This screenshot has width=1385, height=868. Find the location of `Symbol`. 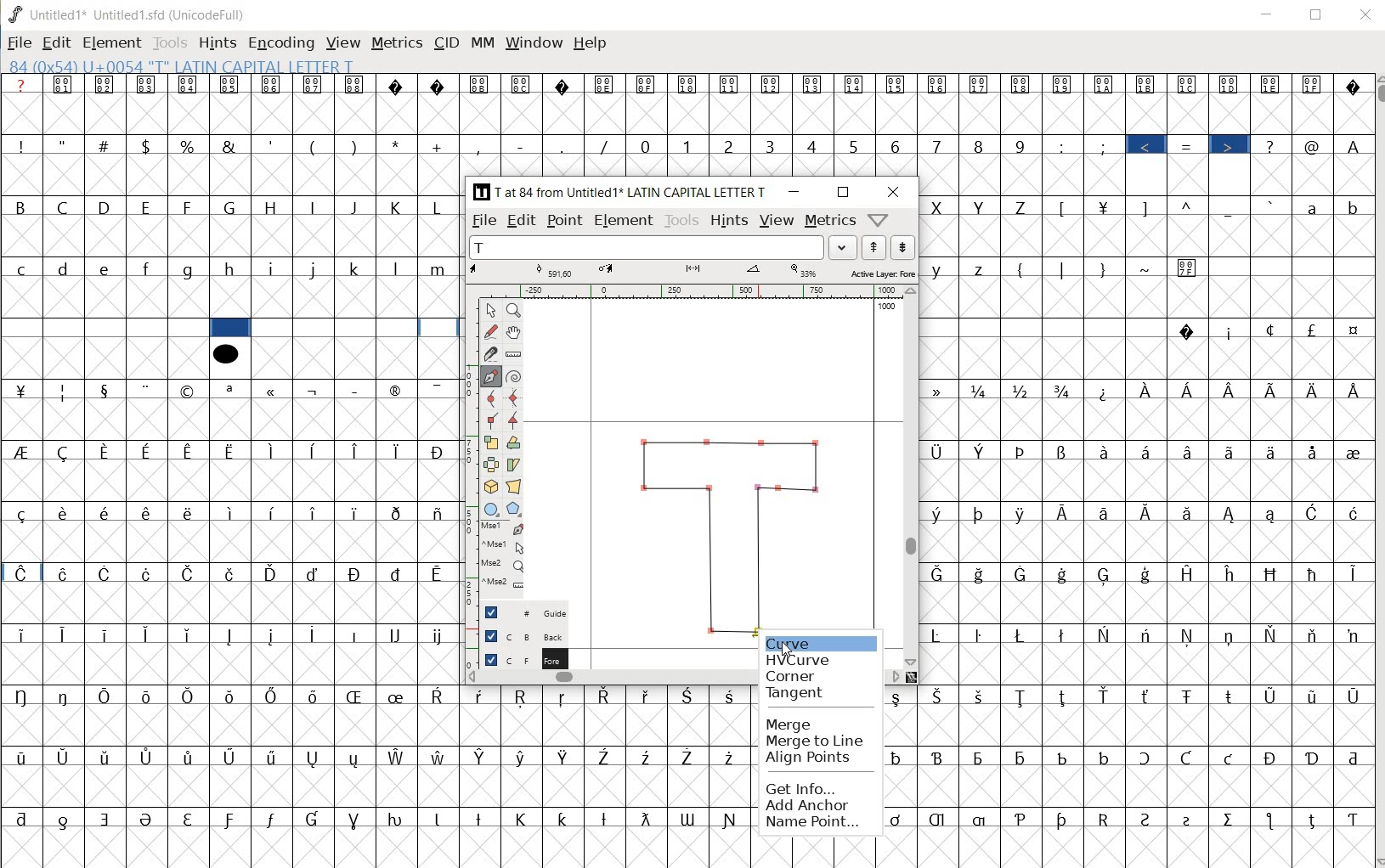

Symbol is located at coordinates (1189, 268).